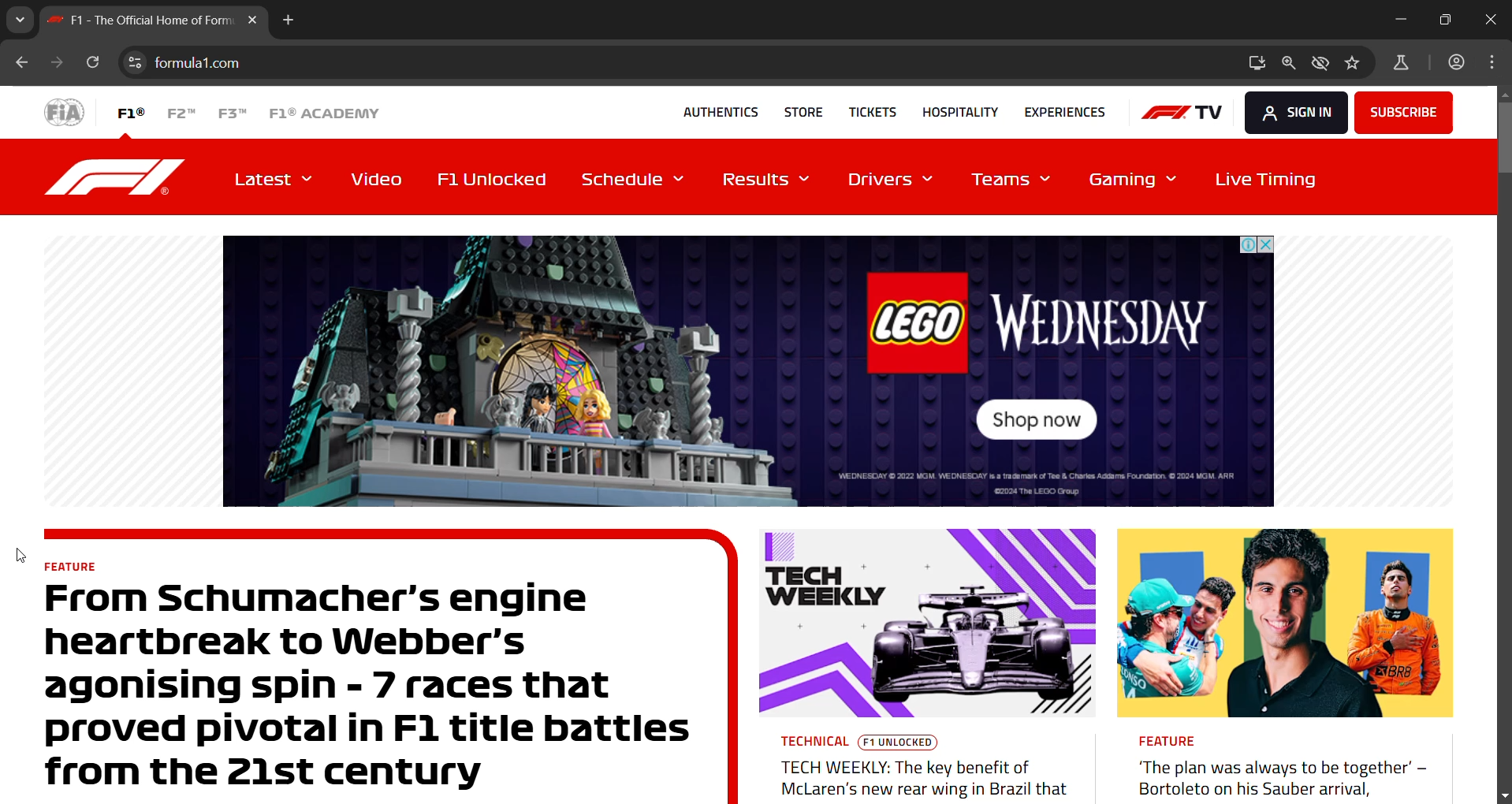 Image resolution: width=1512 pixels, height=804 pixels. Describe the element at coordinates (1356, 65) in the screenshot. I see `bookmark` at that location.